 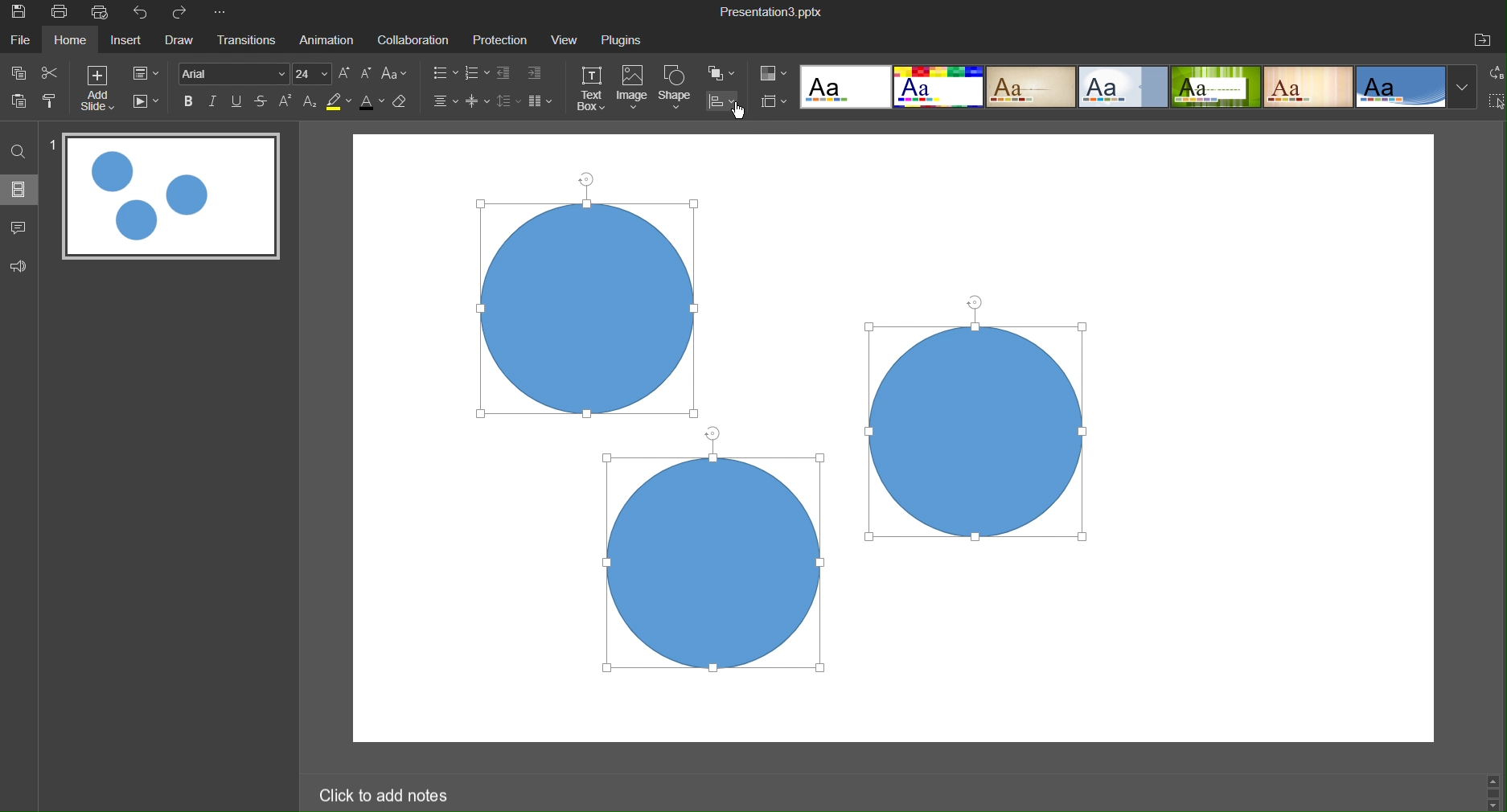 I want to click on Highlight, so click(x=337, y=102).